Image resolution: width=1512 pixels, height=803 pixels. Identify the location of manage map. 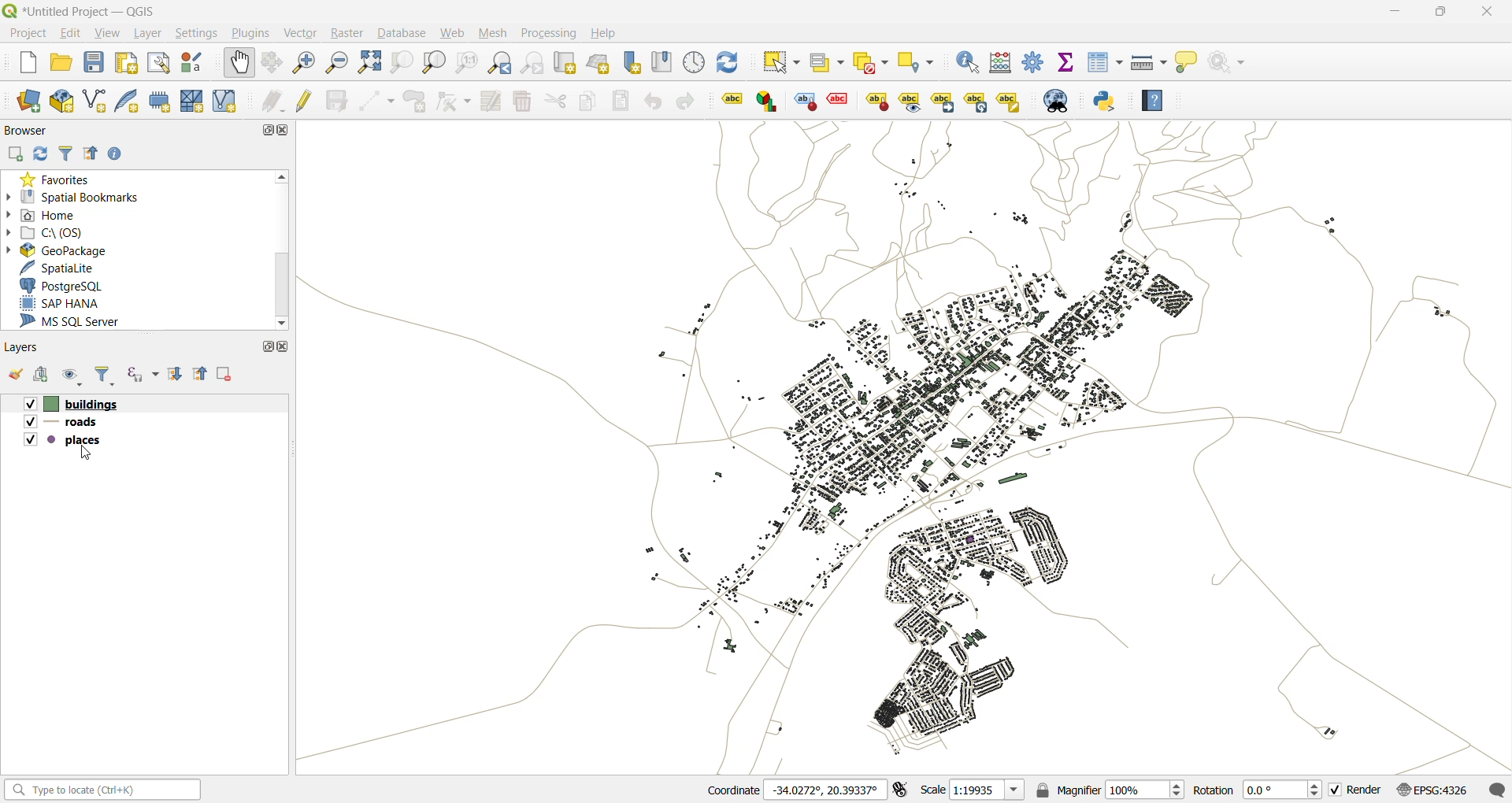
(76, 376).